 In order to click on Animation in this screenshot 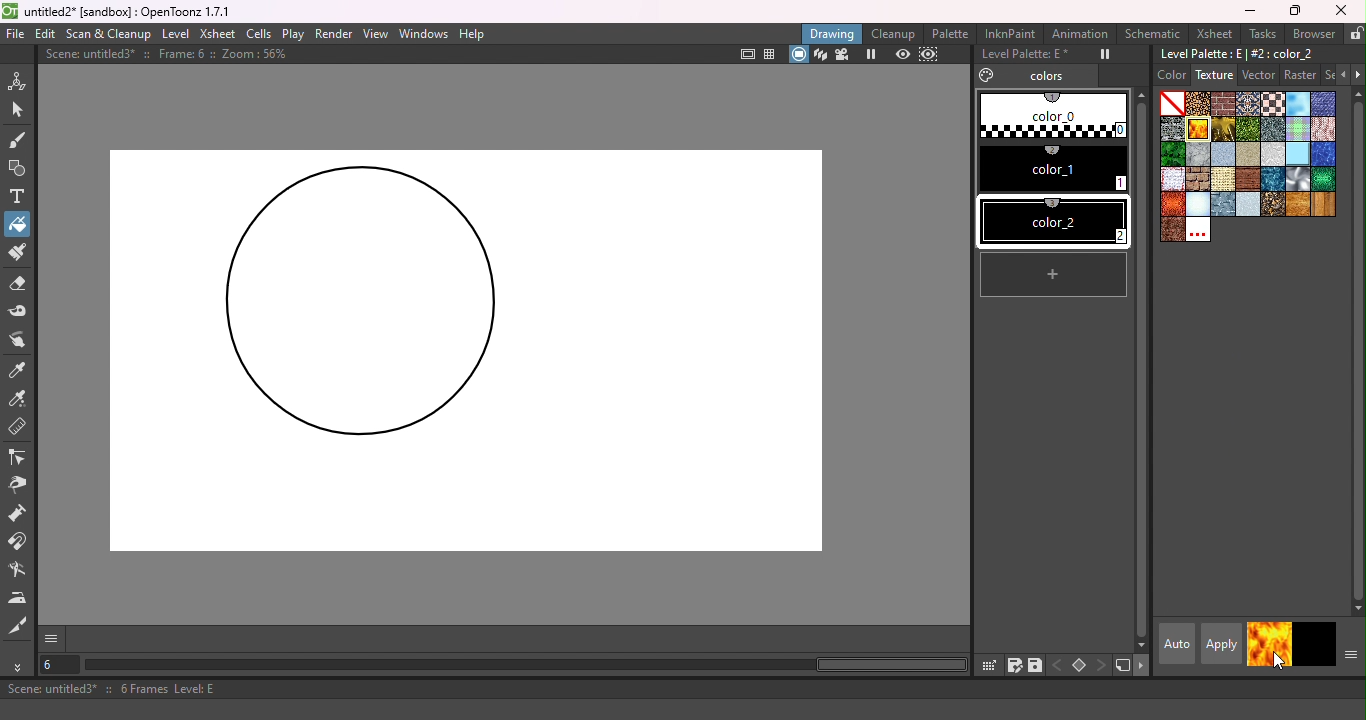, I will do `click(1080, 34)`.